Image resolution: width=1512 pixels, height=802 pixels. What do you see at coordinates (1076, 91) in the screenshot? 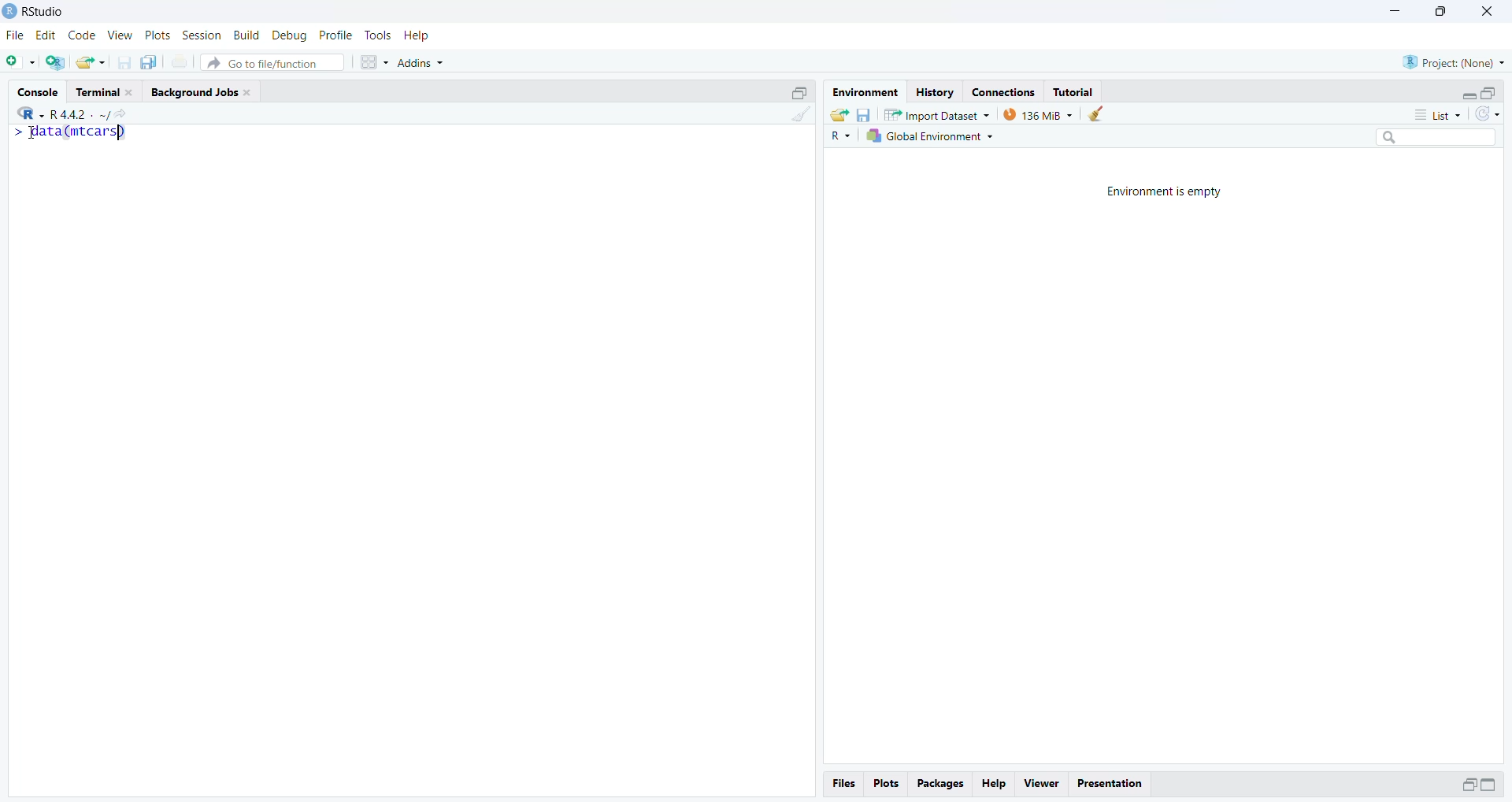
I see `Tutorial` at bounding box center [1076, 91].